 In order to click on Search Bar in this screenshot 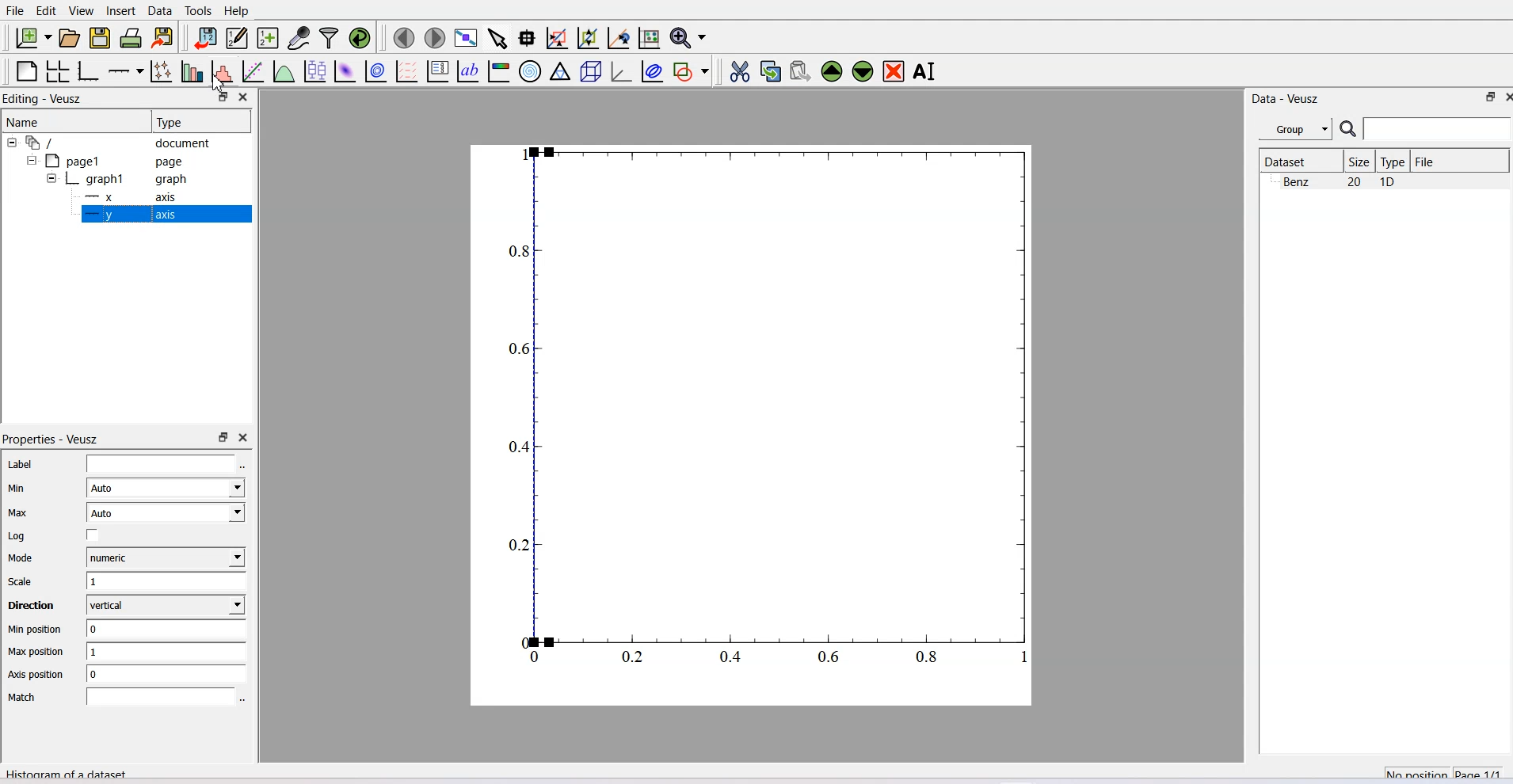, I will do `click(1426, 128)`.